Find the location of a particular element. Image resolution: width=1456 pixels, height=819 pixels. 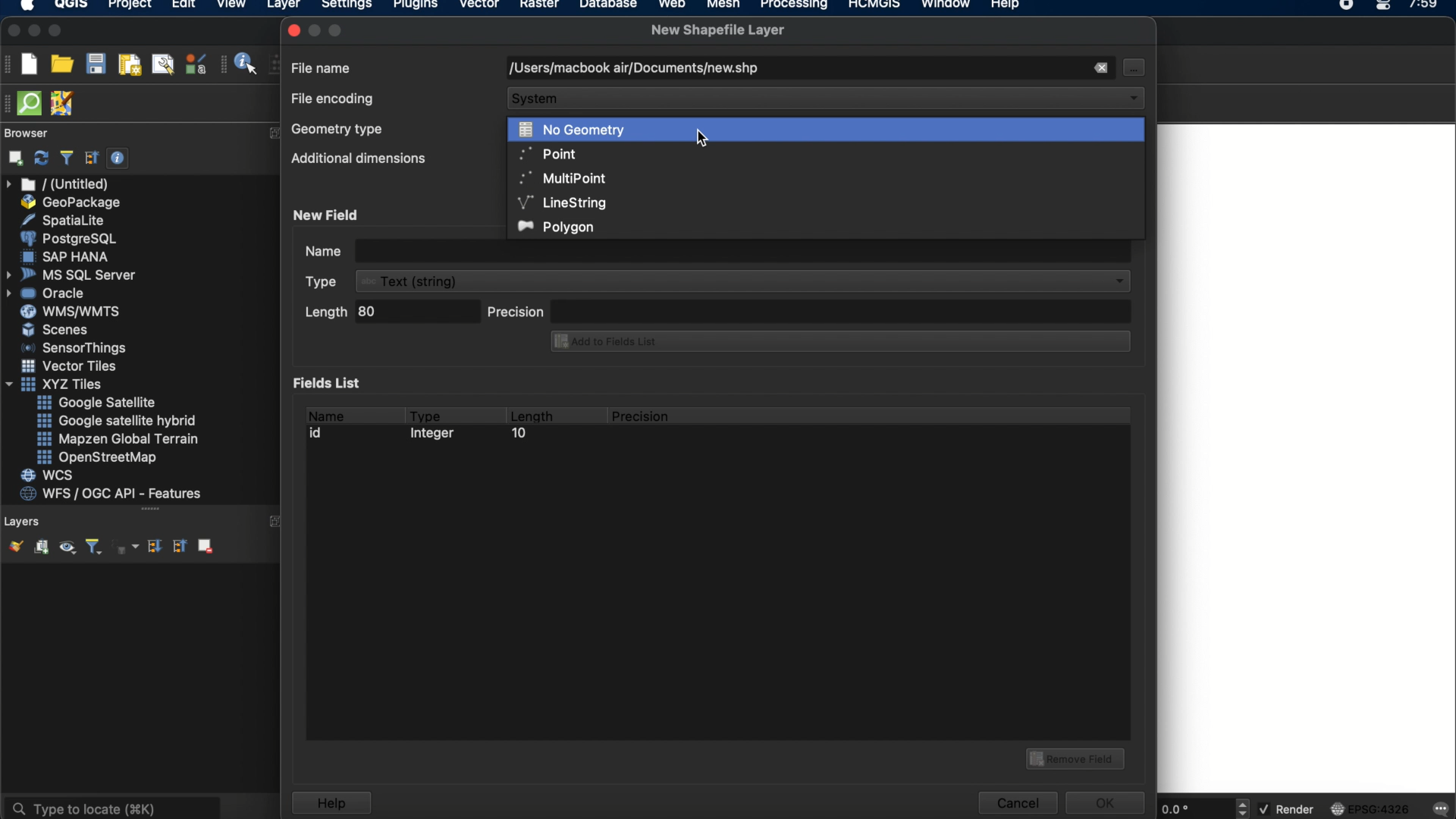

minimize is located at coordinates (34, 31).